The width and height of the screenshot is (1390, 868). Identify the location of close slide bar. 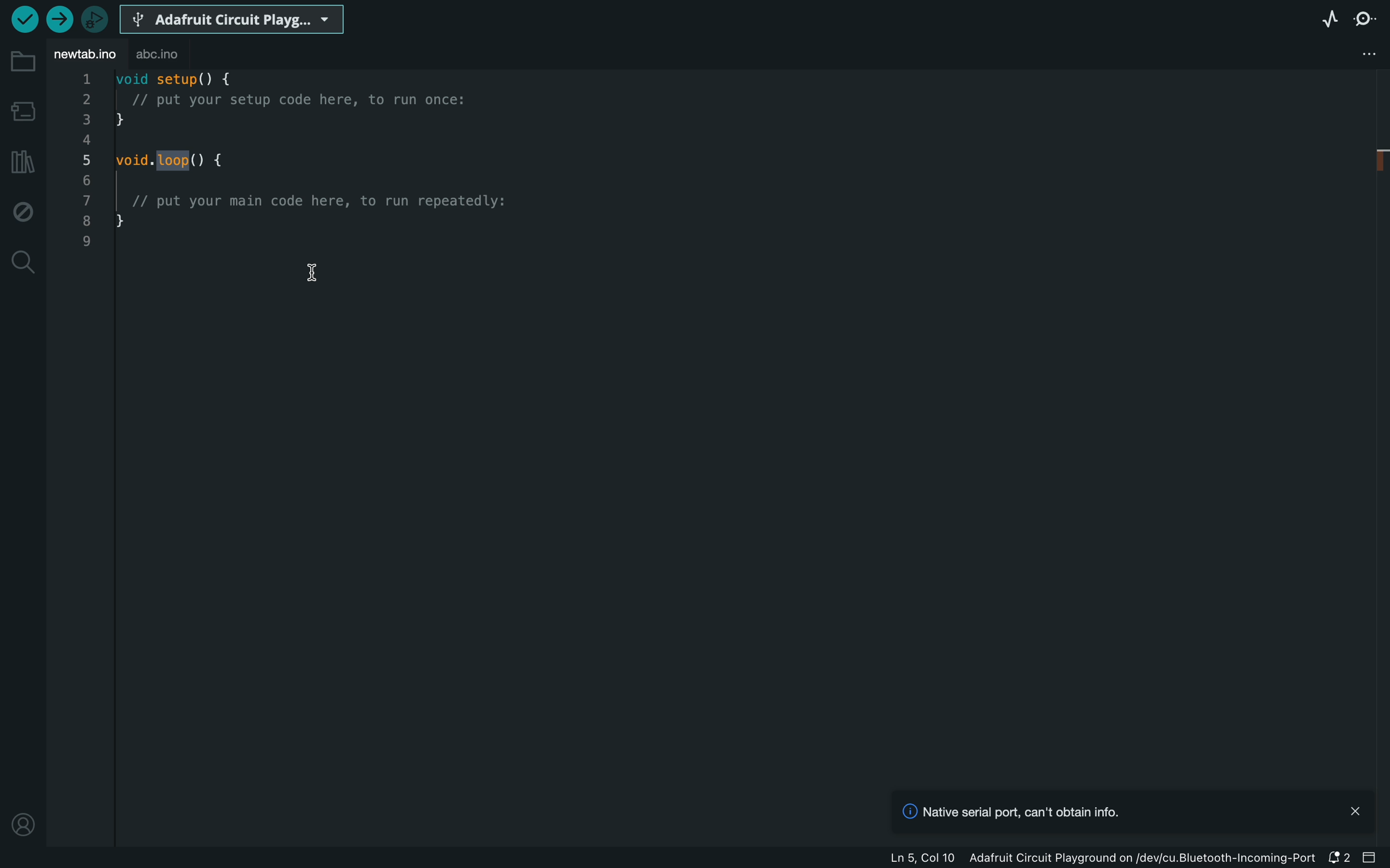
(1371, 857).